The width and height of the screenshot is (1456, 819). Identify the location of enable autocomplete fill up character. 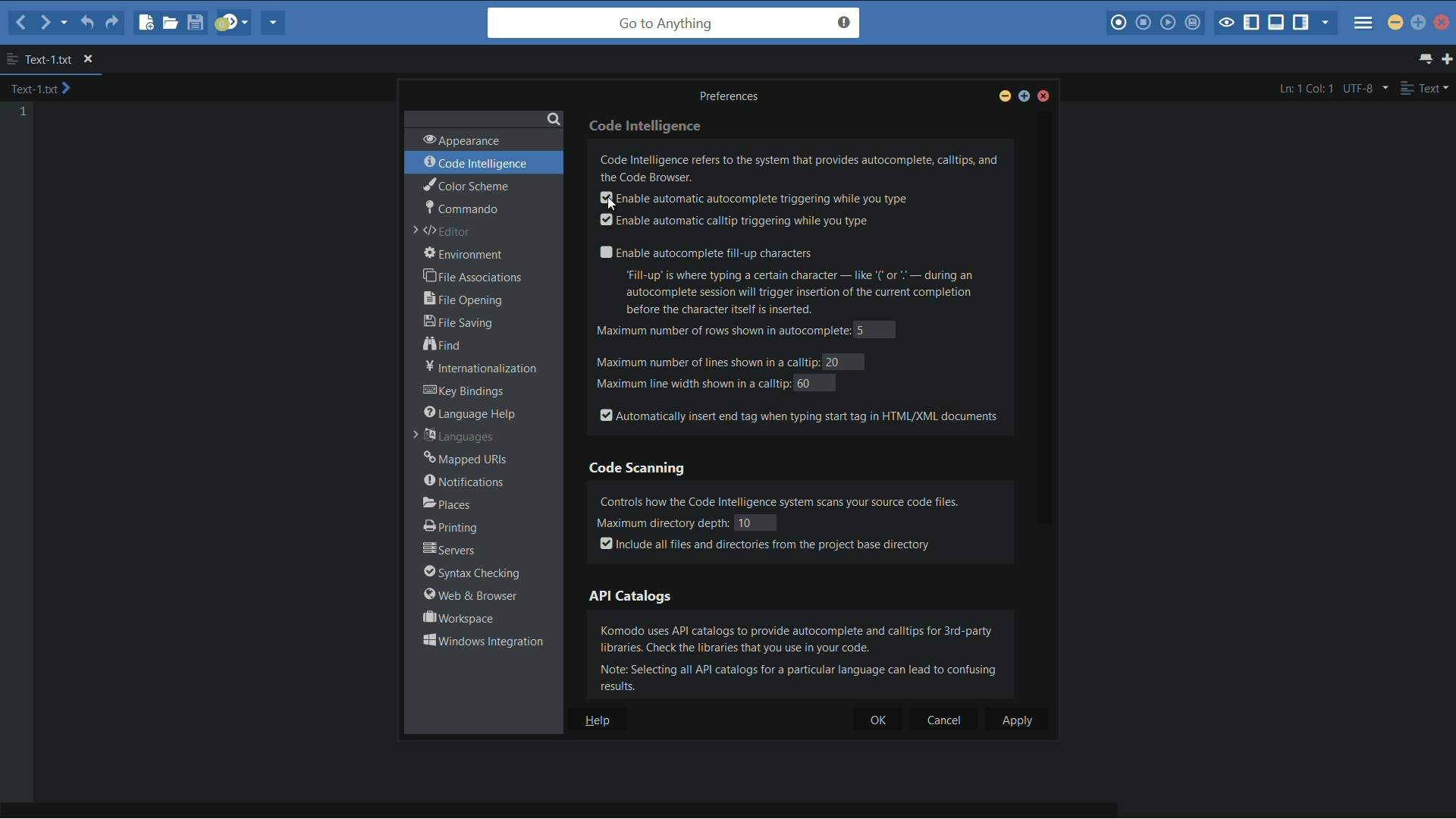
(704, 253).